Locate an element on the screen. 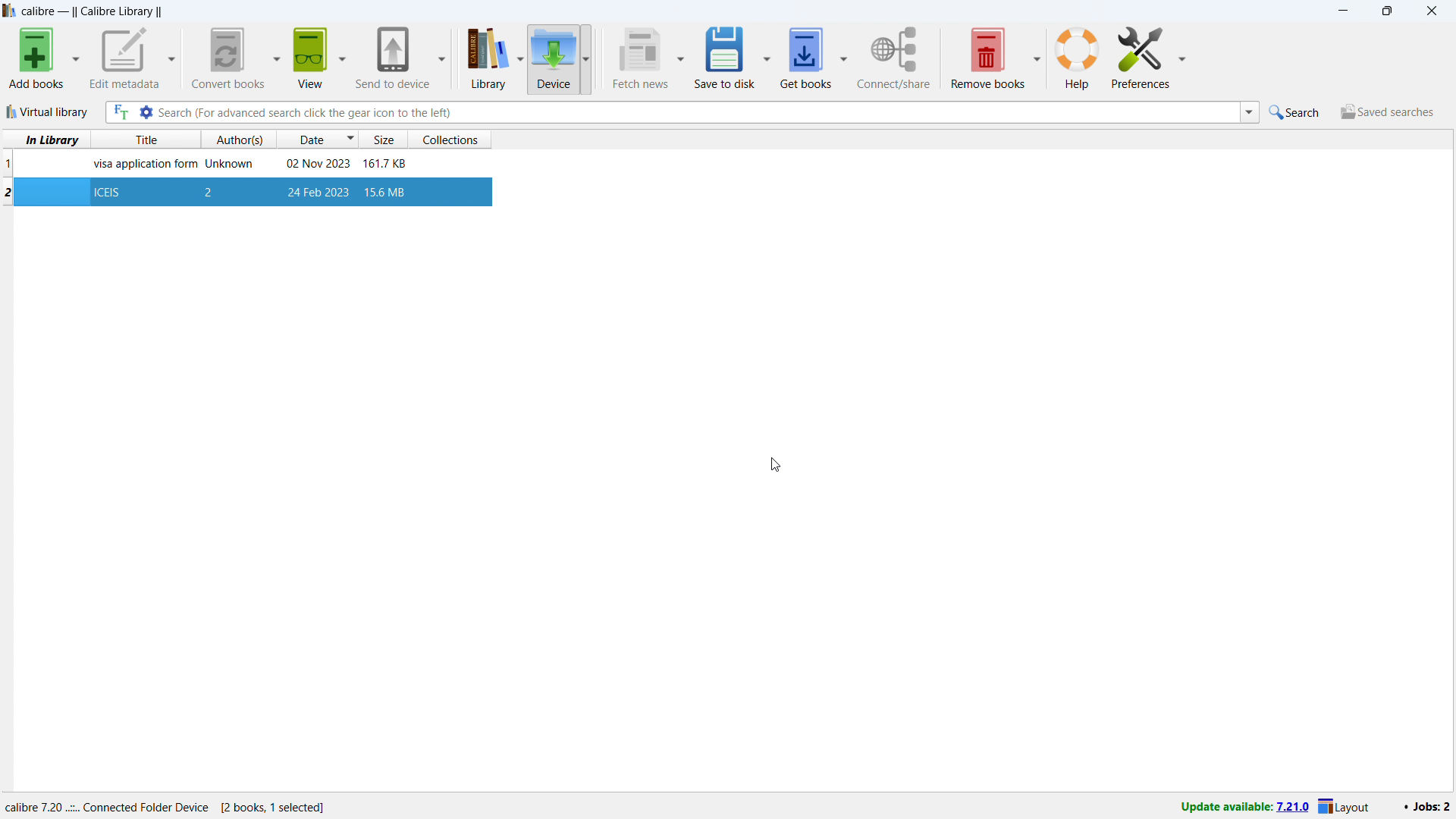 The image size is (1456, 819). quick search is located at coordinates (1297, 112).